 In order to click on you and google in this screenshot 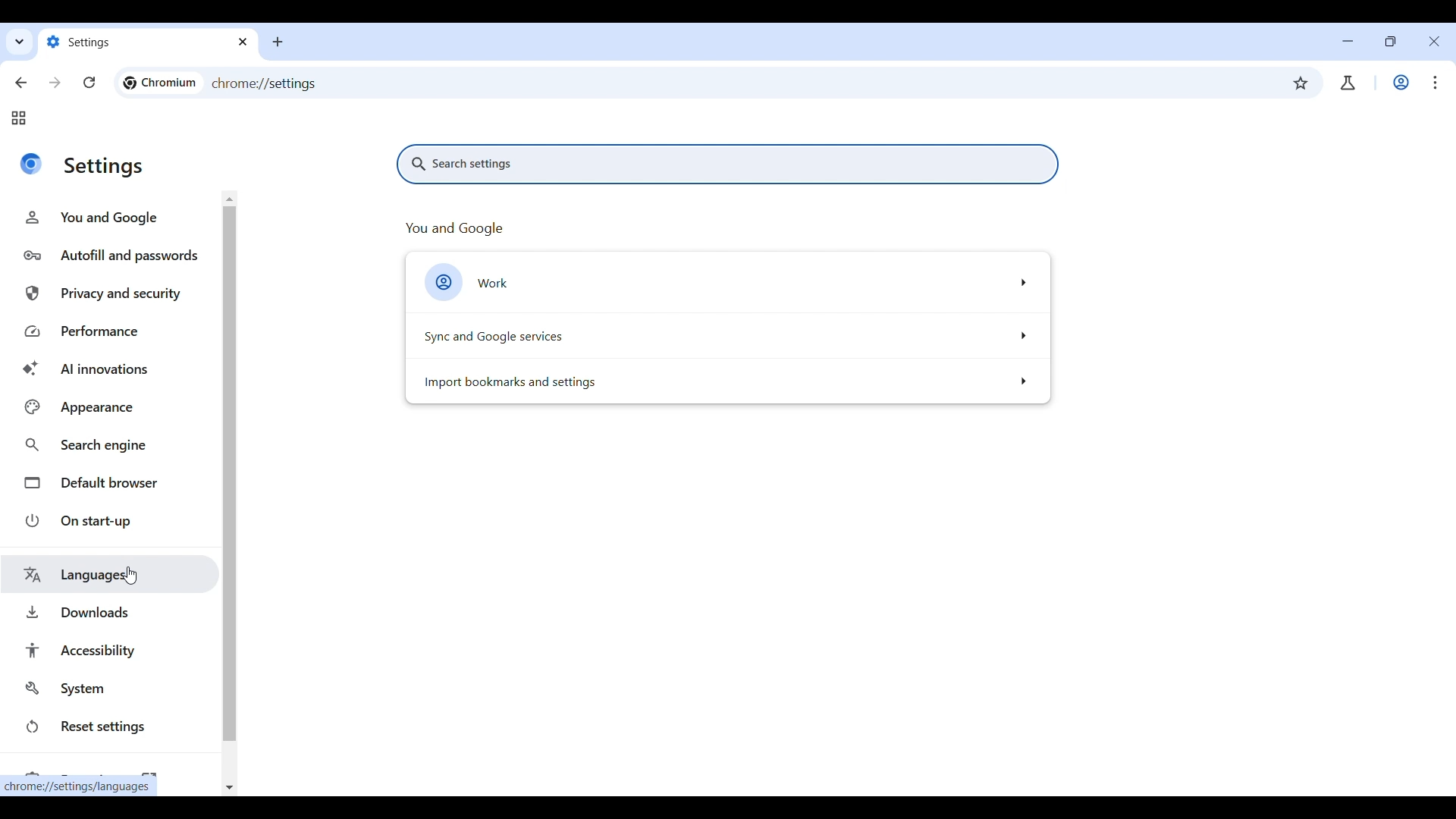, I will do `click(472, 227)`.